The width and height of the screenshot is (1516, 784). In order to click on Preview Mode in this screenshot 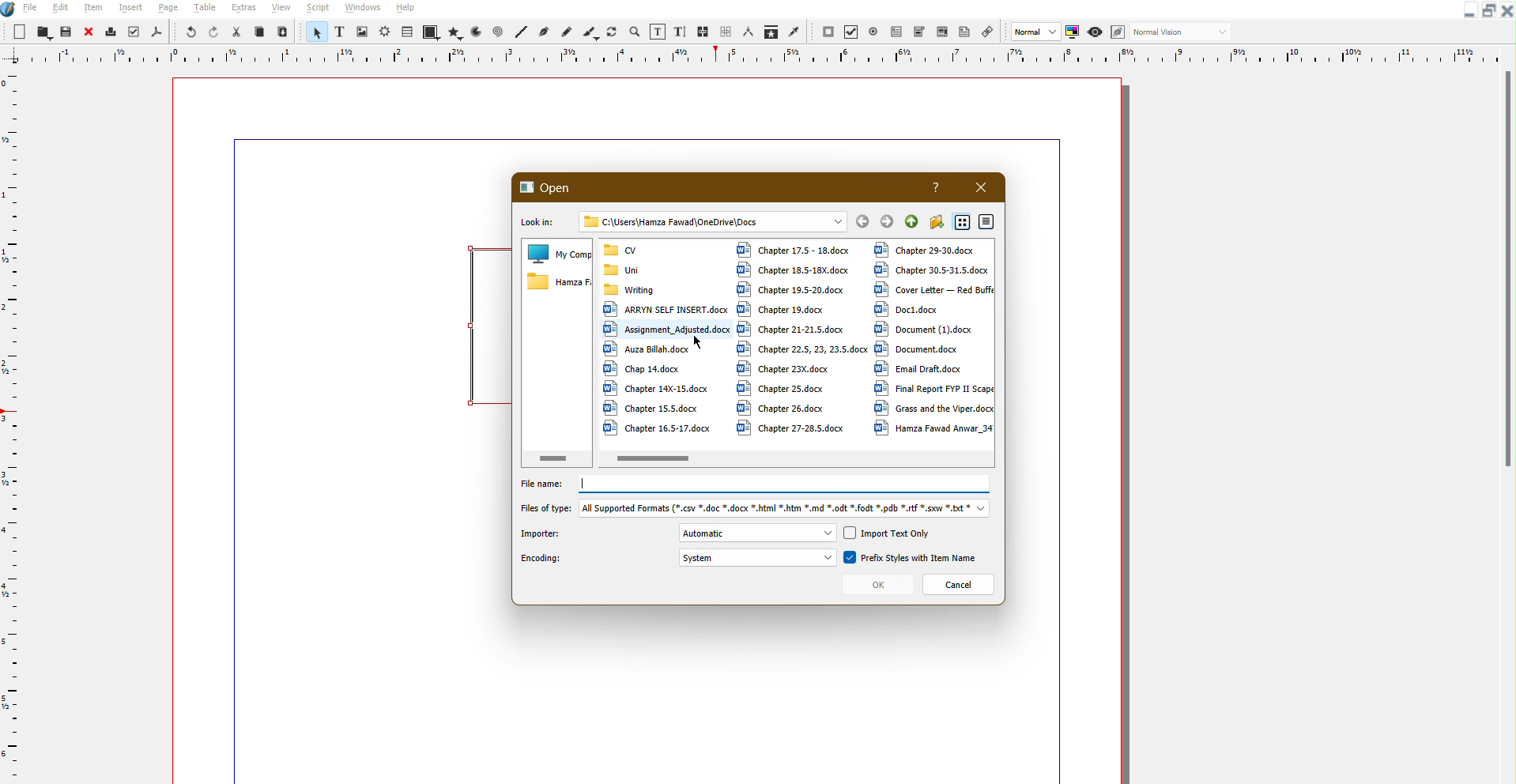, I will do `click(1095, 32)`.